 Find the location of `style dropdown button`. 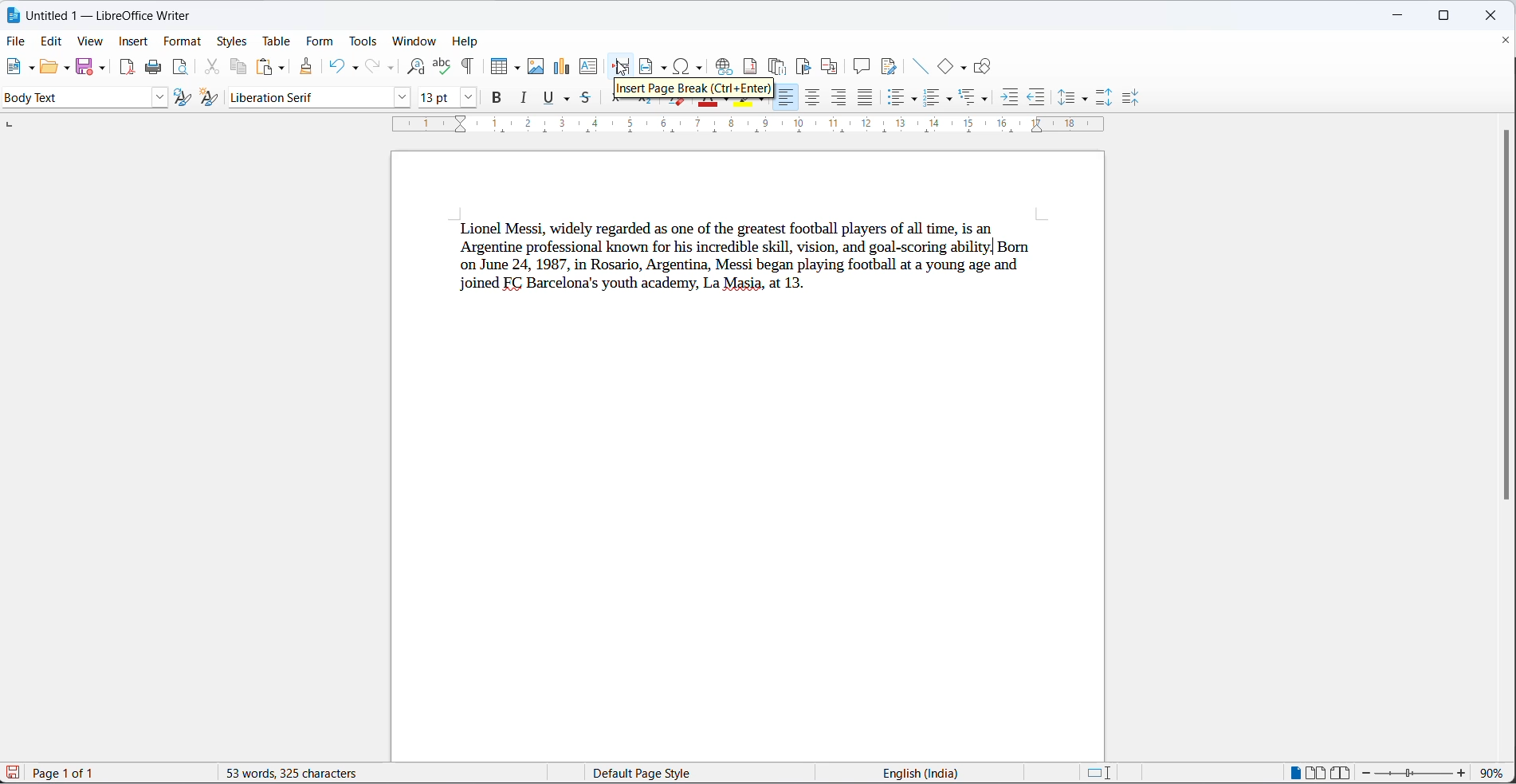

style dropdown button is located at coordinates (158, 98).